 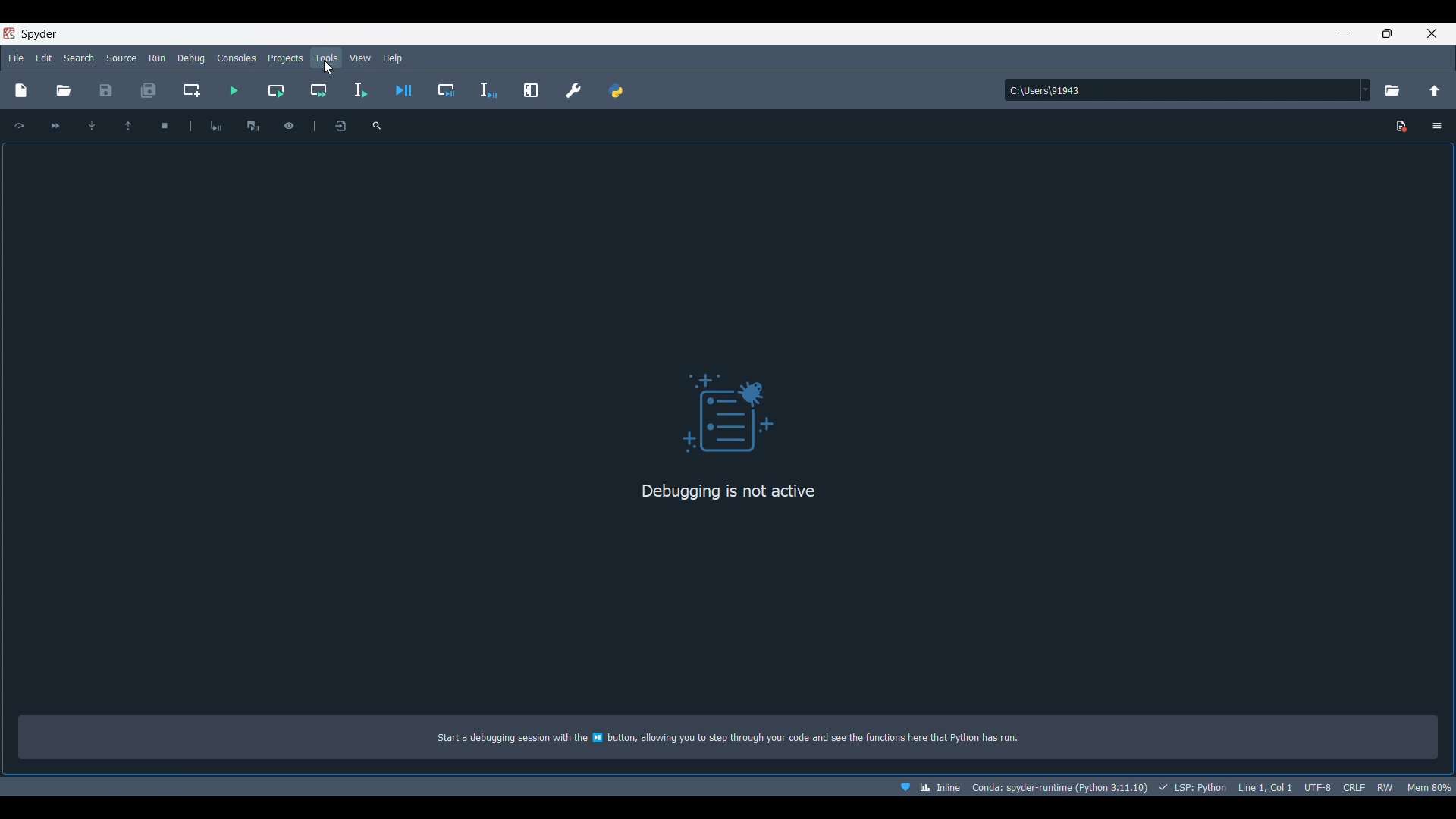 I want to click on Panel logo and description, so click(x=731, y=428).